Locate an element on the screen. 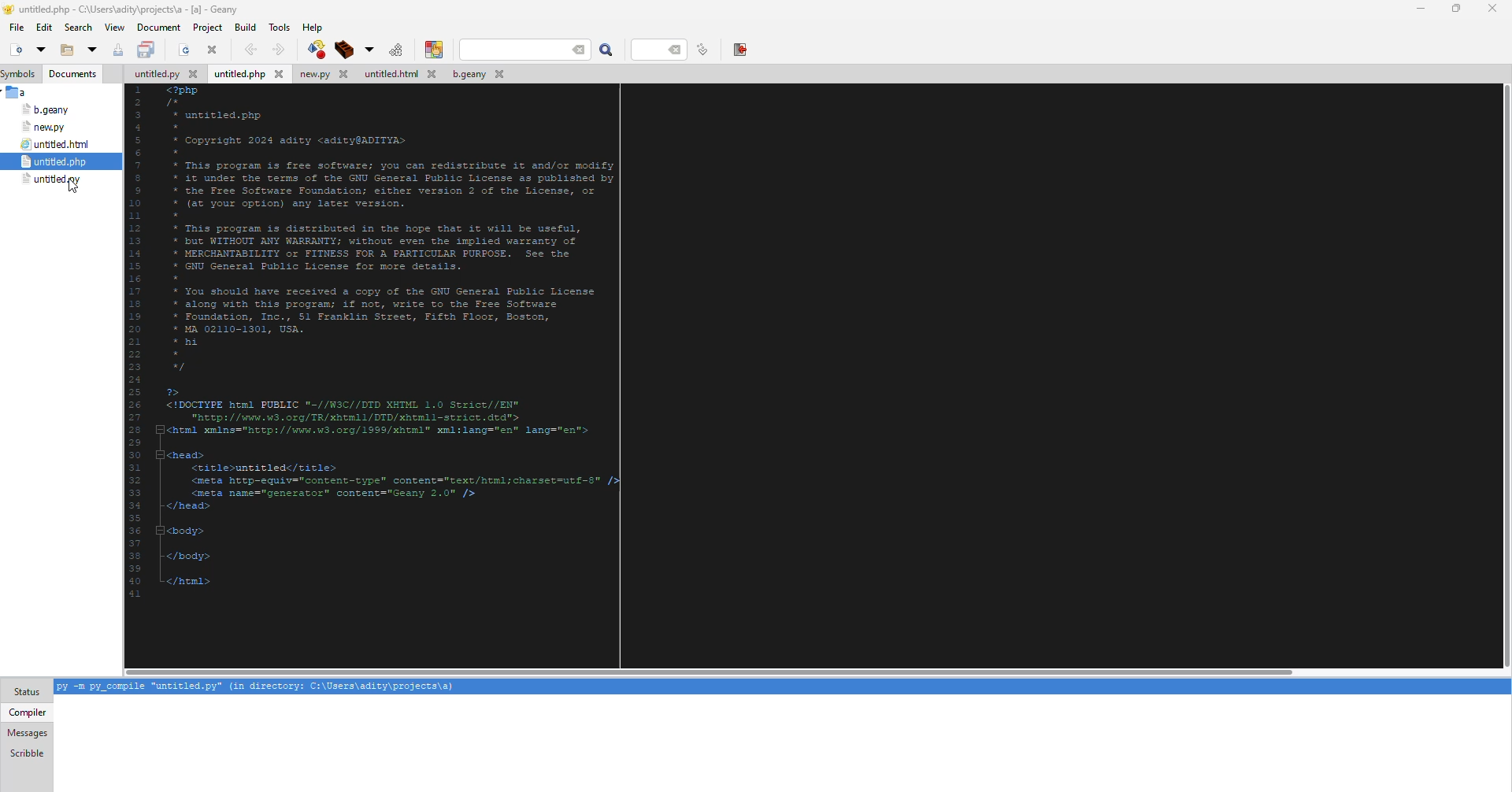 This screenshot has height=792, width=1512. build tools is located at coordinates (366, 50).